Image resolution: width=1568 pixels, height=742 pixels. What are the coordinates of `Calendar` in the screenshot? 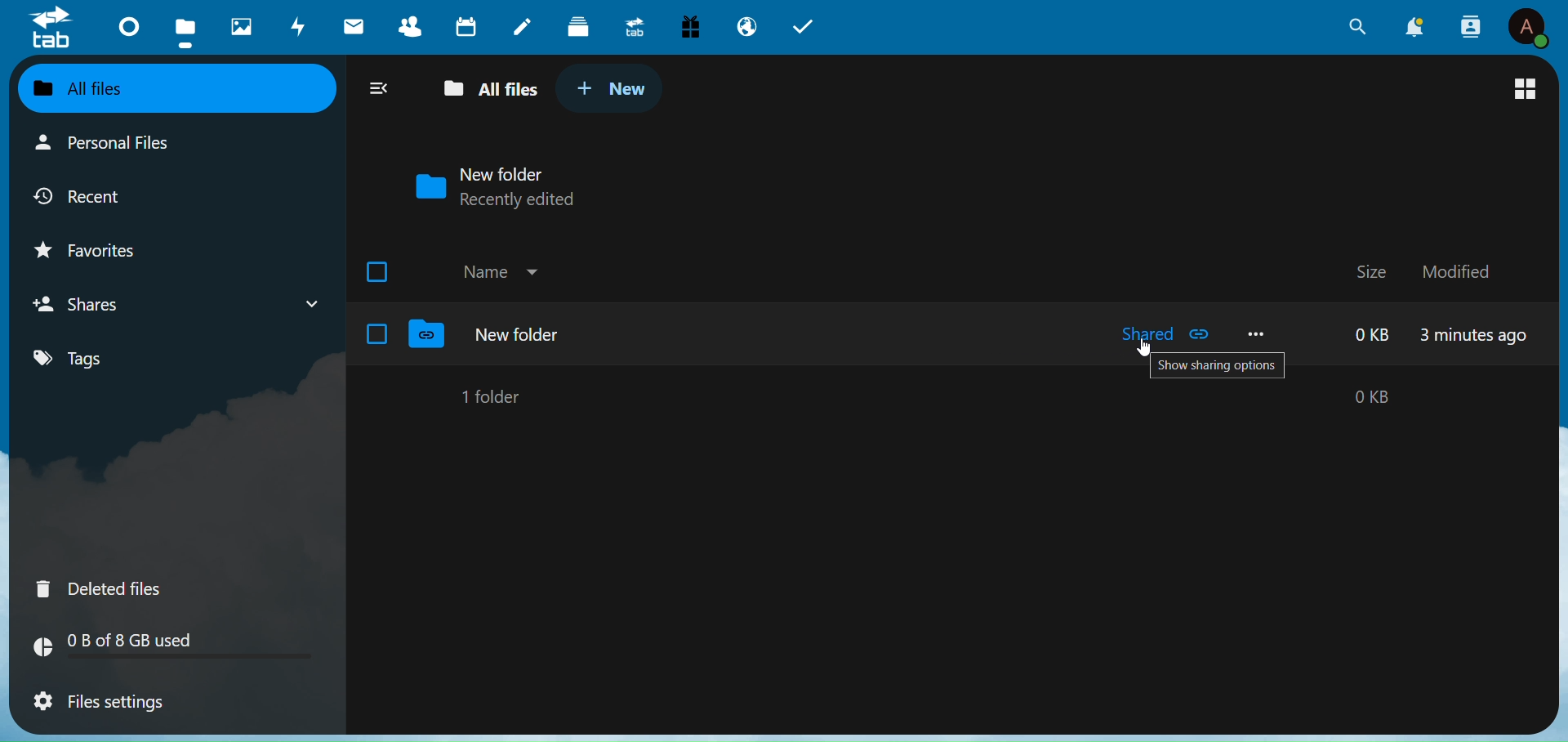 It's located at (467, 26).